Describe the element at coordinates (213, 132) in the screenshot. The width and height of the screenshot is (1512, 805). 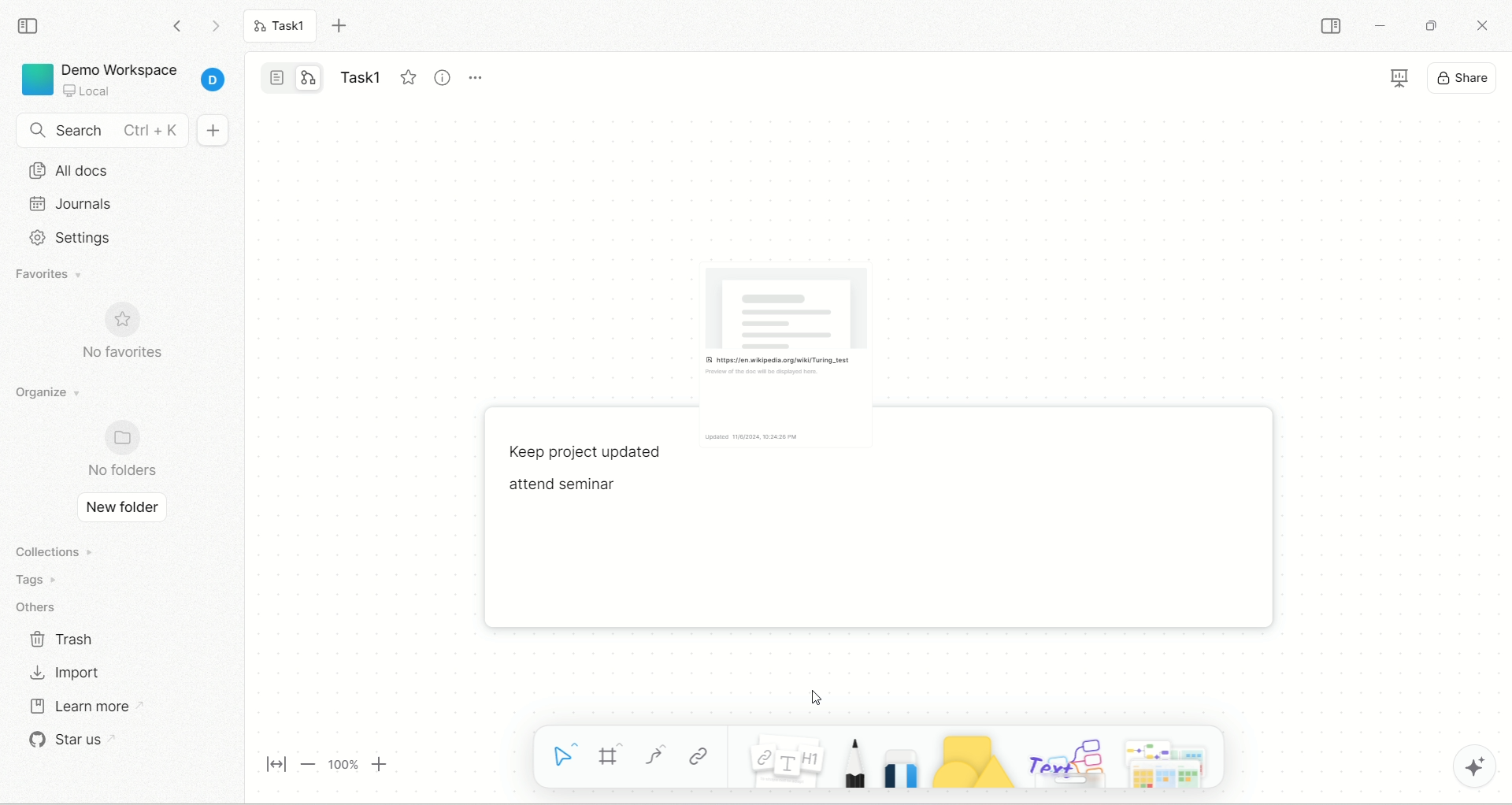
I see `new document` at that location.